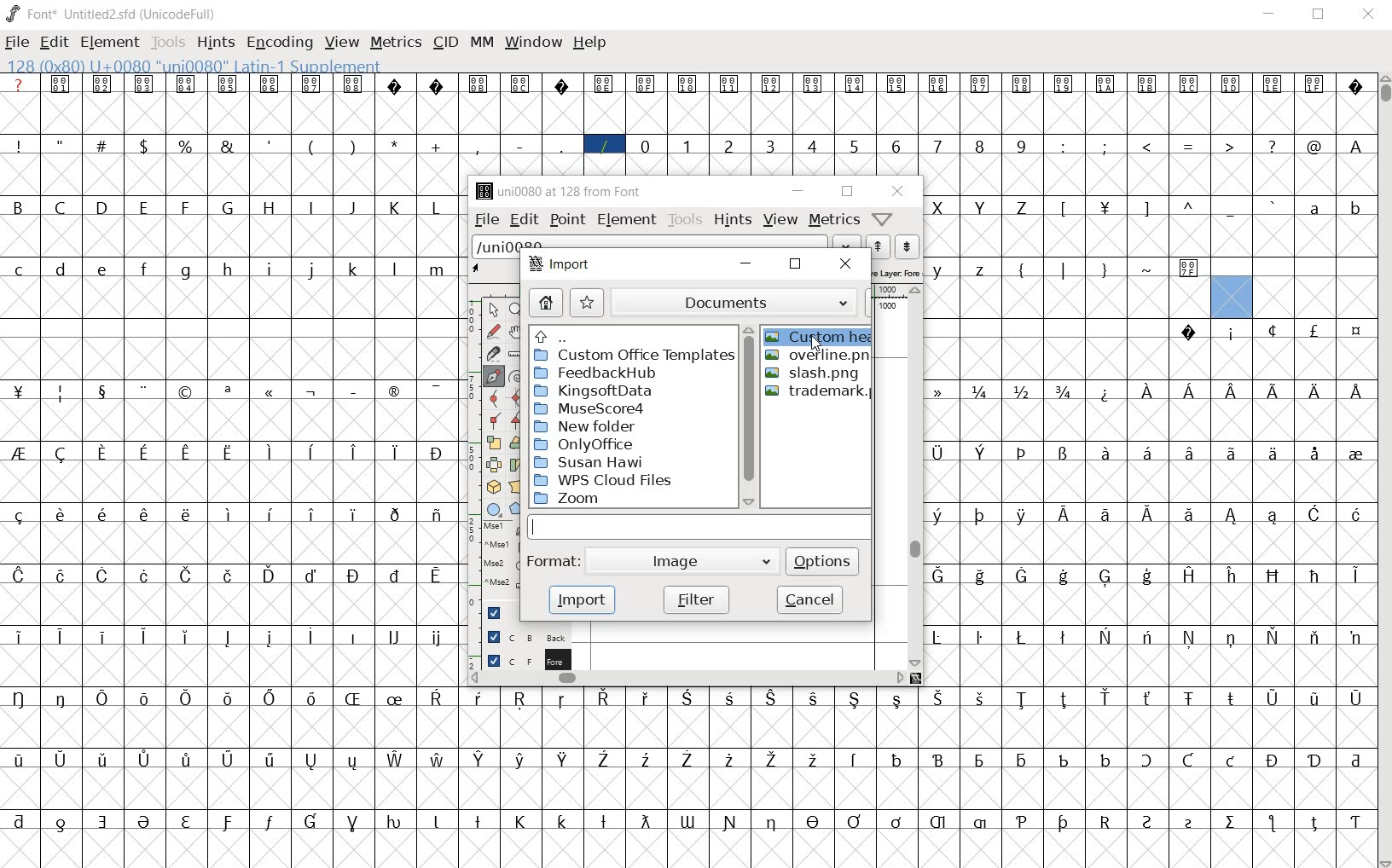 The width and height of the screenshot is (1392, 868). Describe the element at coordinates (687, 822) in the screenshot. I see `glyph` at that location.